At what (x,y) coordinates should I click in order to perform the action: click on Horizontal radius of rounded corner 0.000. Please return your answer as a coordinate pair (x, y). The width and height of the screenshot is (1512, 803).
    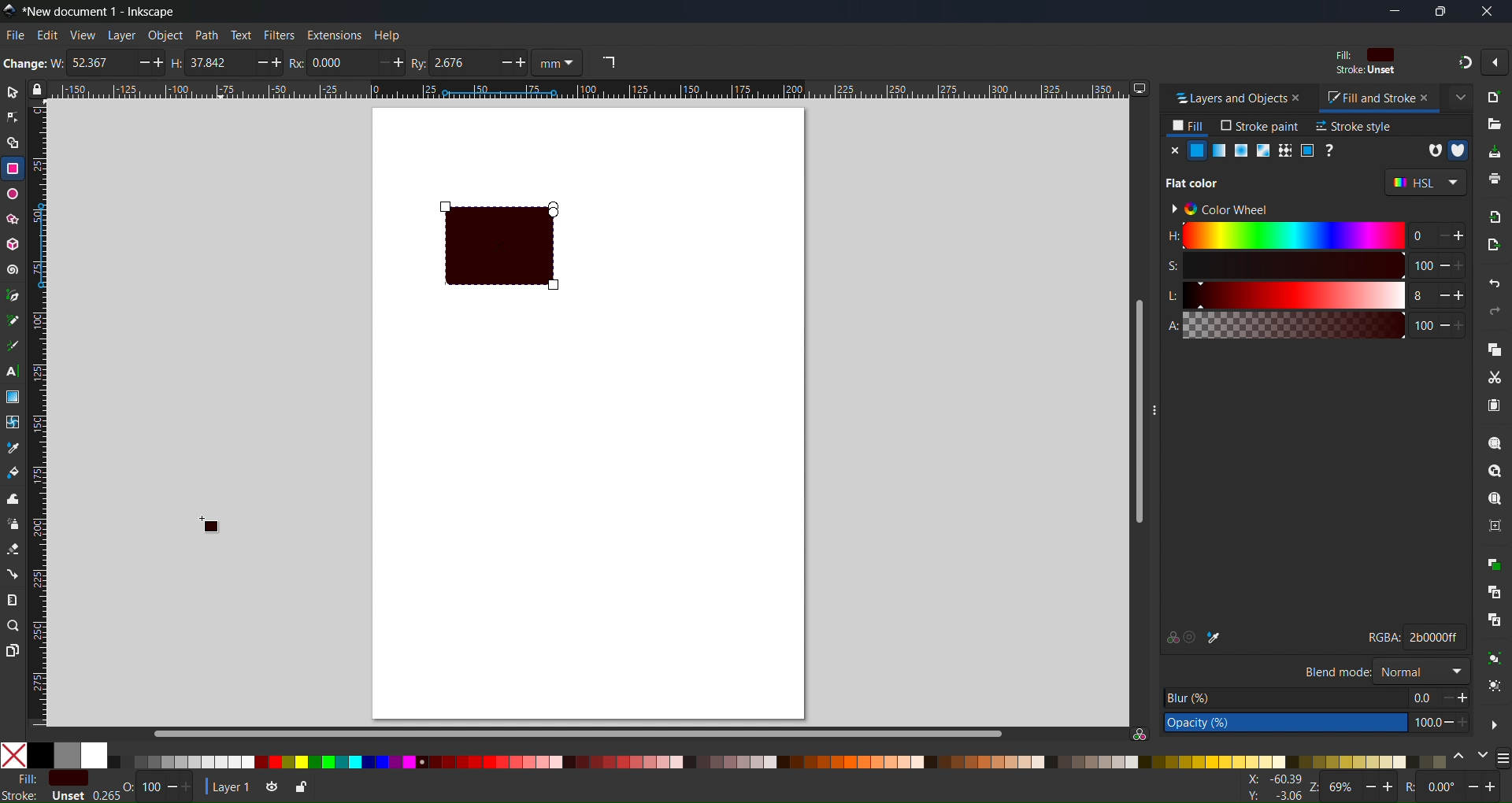
    Looking at the image, I should click on (338, 62).